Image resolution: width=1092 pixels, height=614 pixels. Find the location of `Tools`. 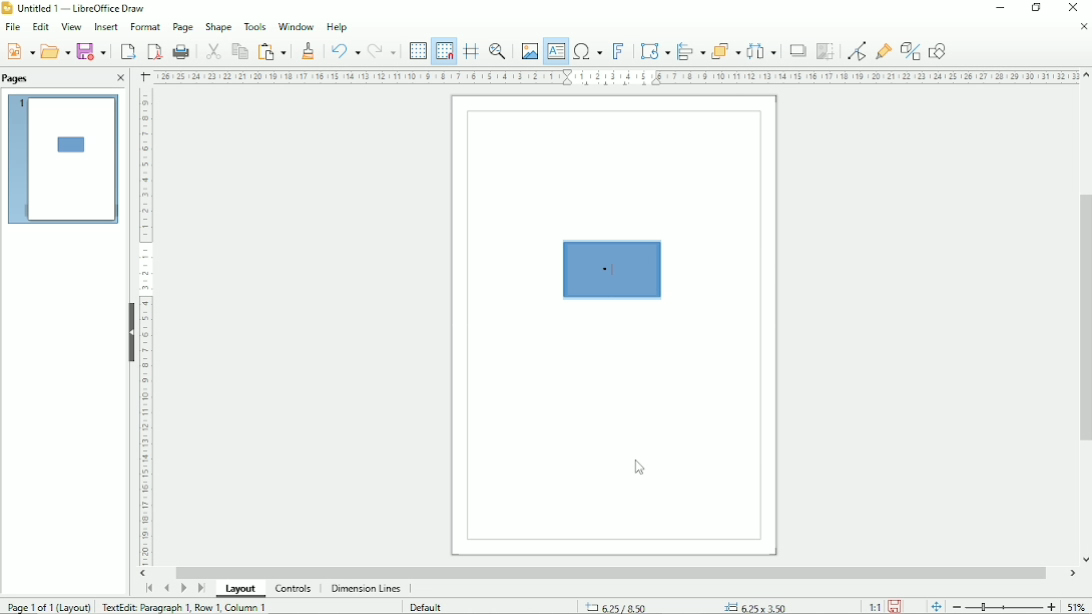

Tools is located at coordinates (254, 26).